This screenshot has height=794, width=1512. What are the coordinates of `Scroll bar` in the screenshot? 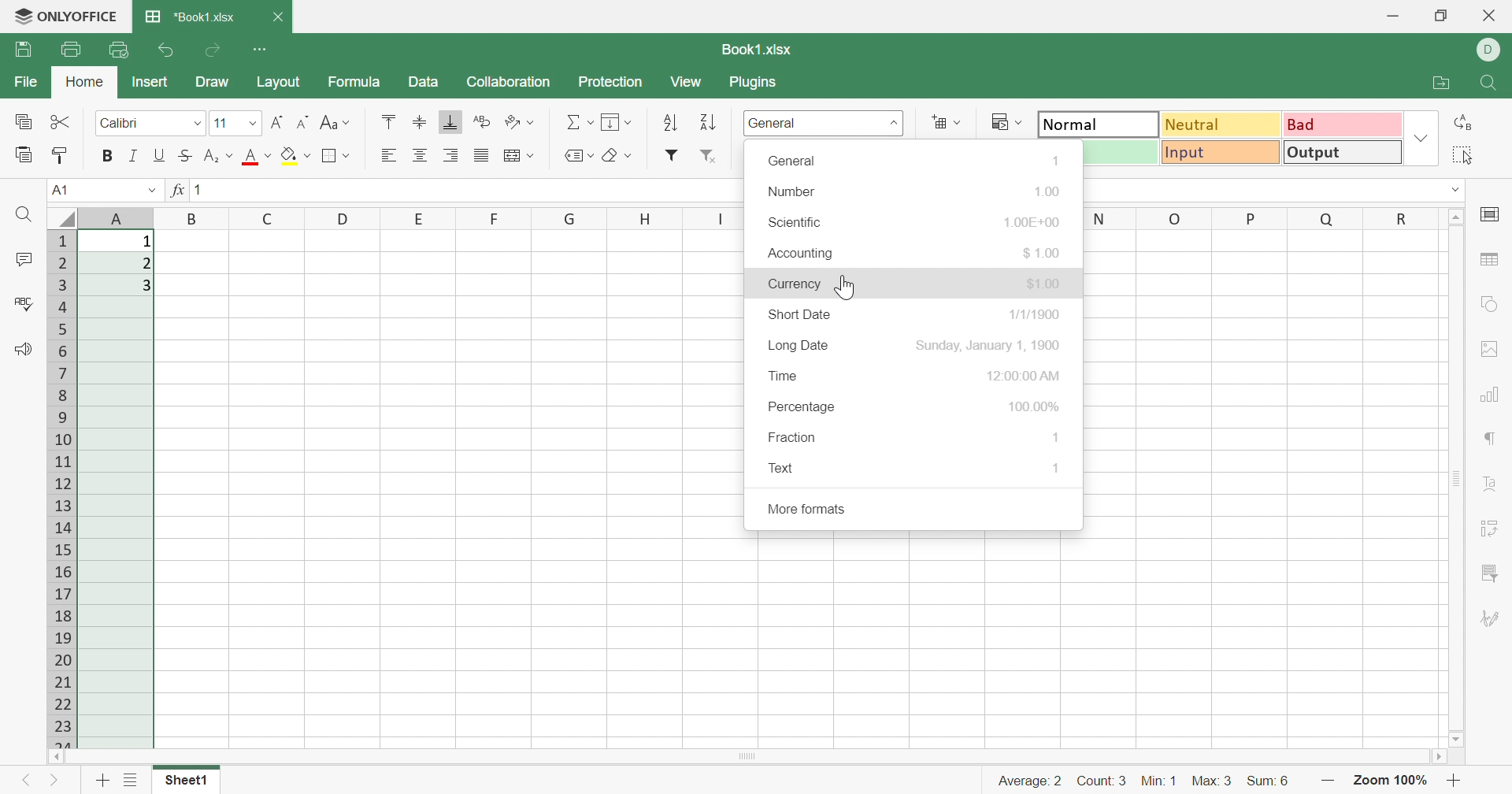 It's located at (747, 756).